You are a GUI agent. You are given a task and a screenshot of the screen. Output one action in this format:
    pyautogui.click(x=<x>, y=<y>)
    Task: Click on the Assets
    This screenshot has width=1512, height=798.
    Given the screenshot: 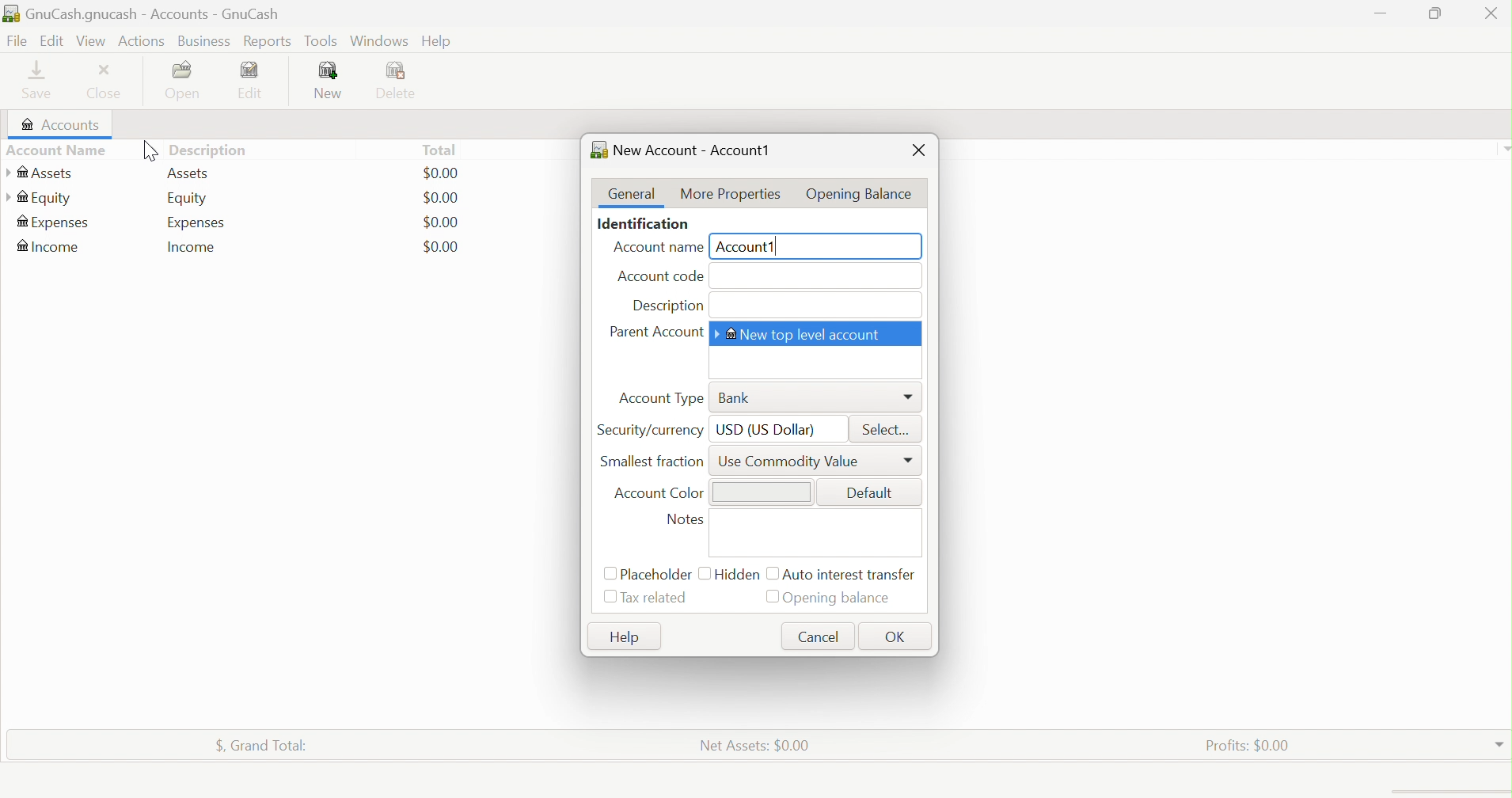 What is the action you would take?
    pyautogui.click(x=40, y=173)
    